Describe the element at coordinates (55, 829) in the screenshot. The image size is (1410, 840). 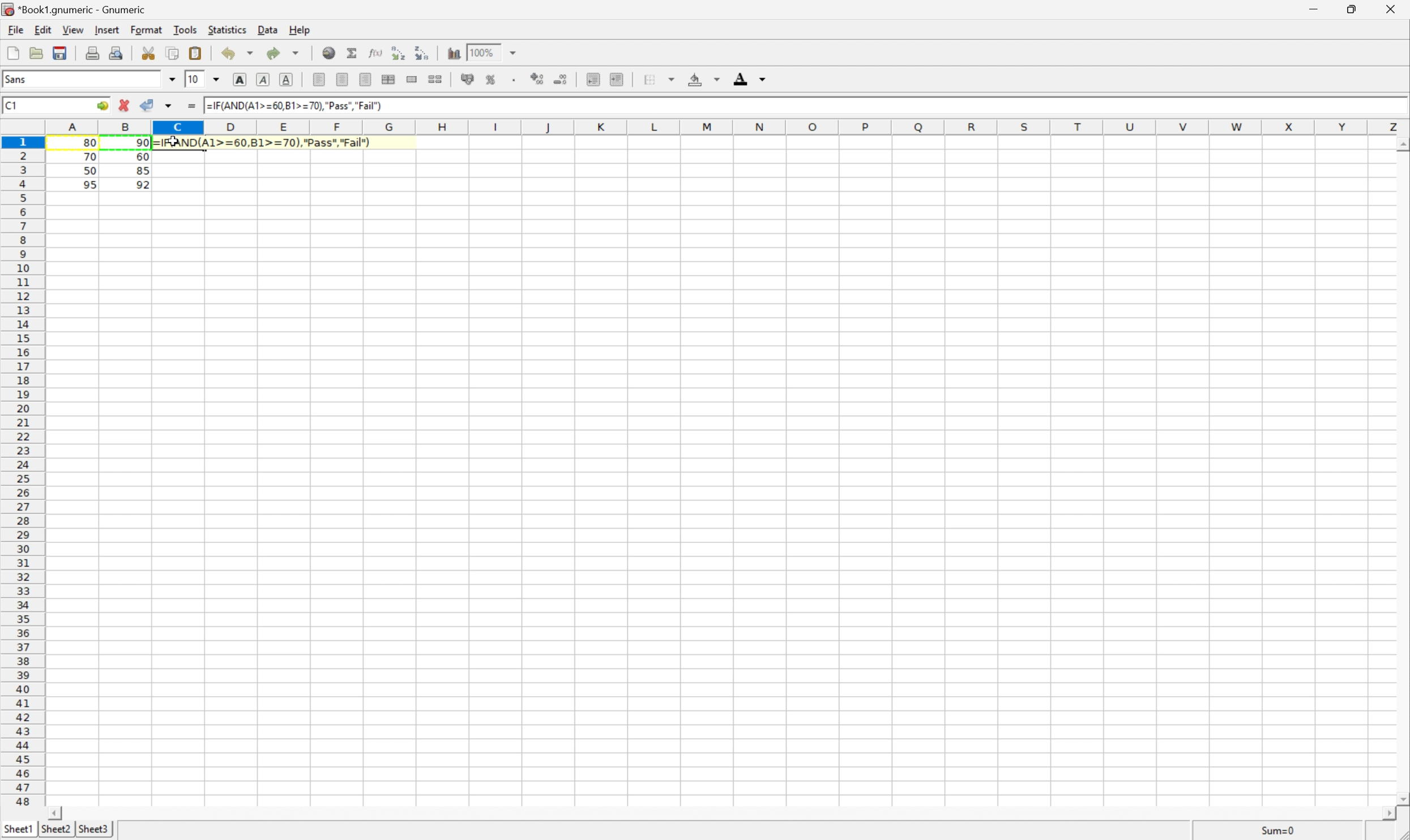
I see `Sheet2` at that location.